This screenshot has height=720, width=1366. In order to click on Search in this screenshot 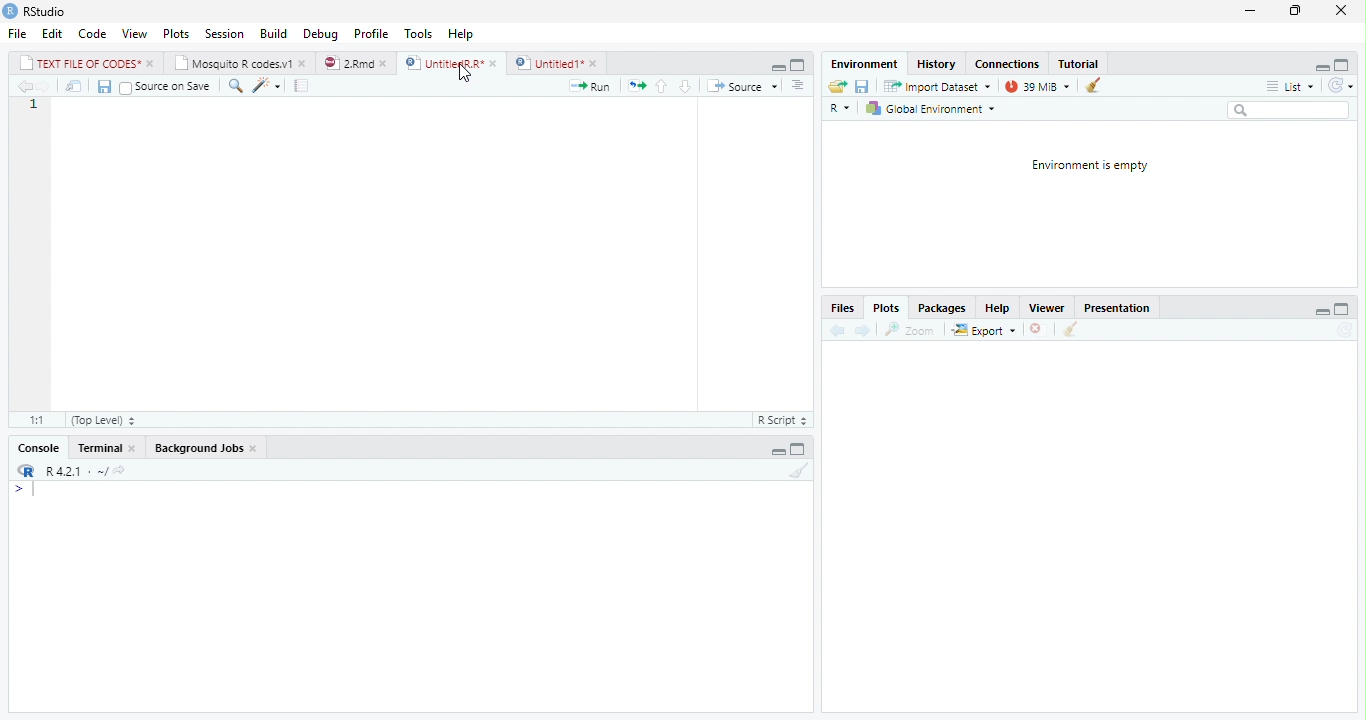, I will do `click(1288, 110)`.